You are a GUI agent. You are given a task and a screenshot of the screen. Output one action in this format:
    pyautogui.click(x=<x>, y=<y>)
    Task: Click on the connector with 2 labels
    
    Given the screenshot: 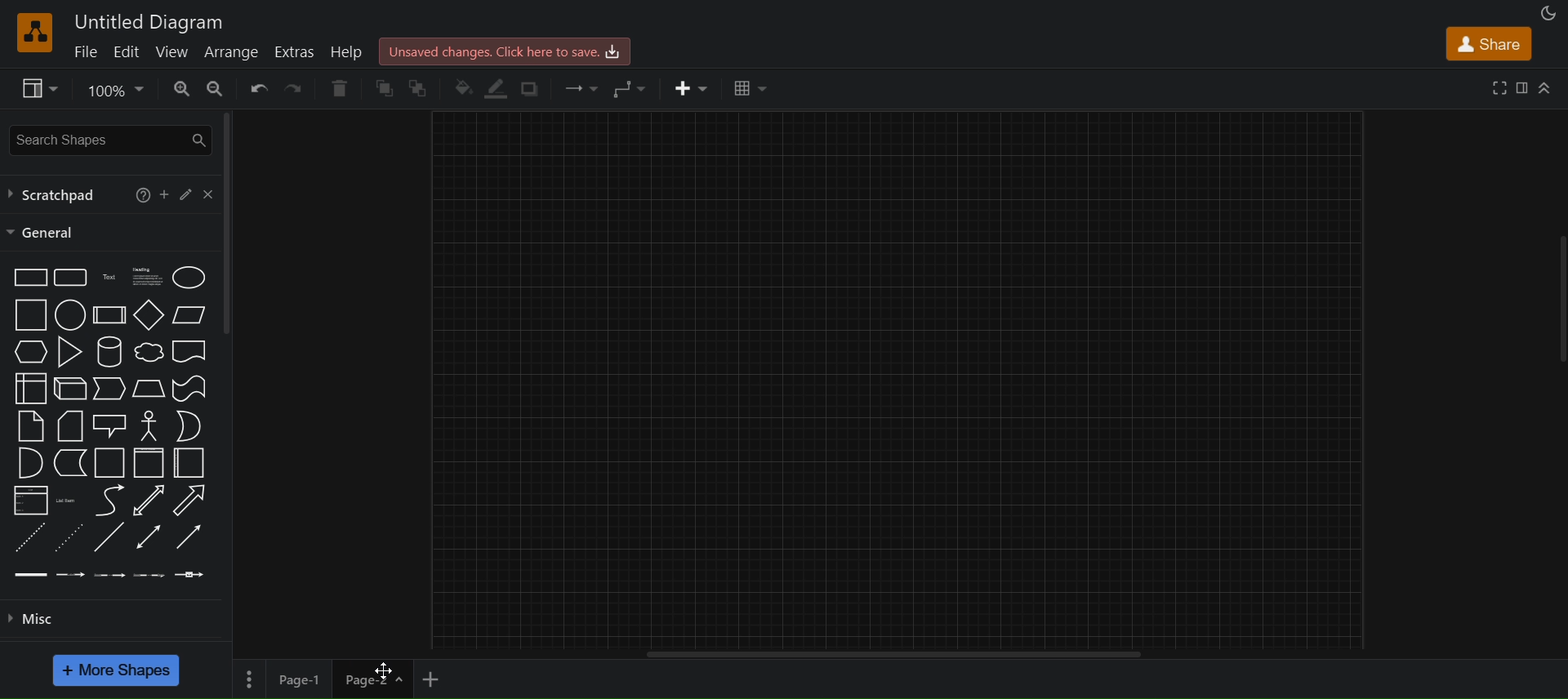 What is the action you would take?
    pyautogui.click(x=111, y=572)
    